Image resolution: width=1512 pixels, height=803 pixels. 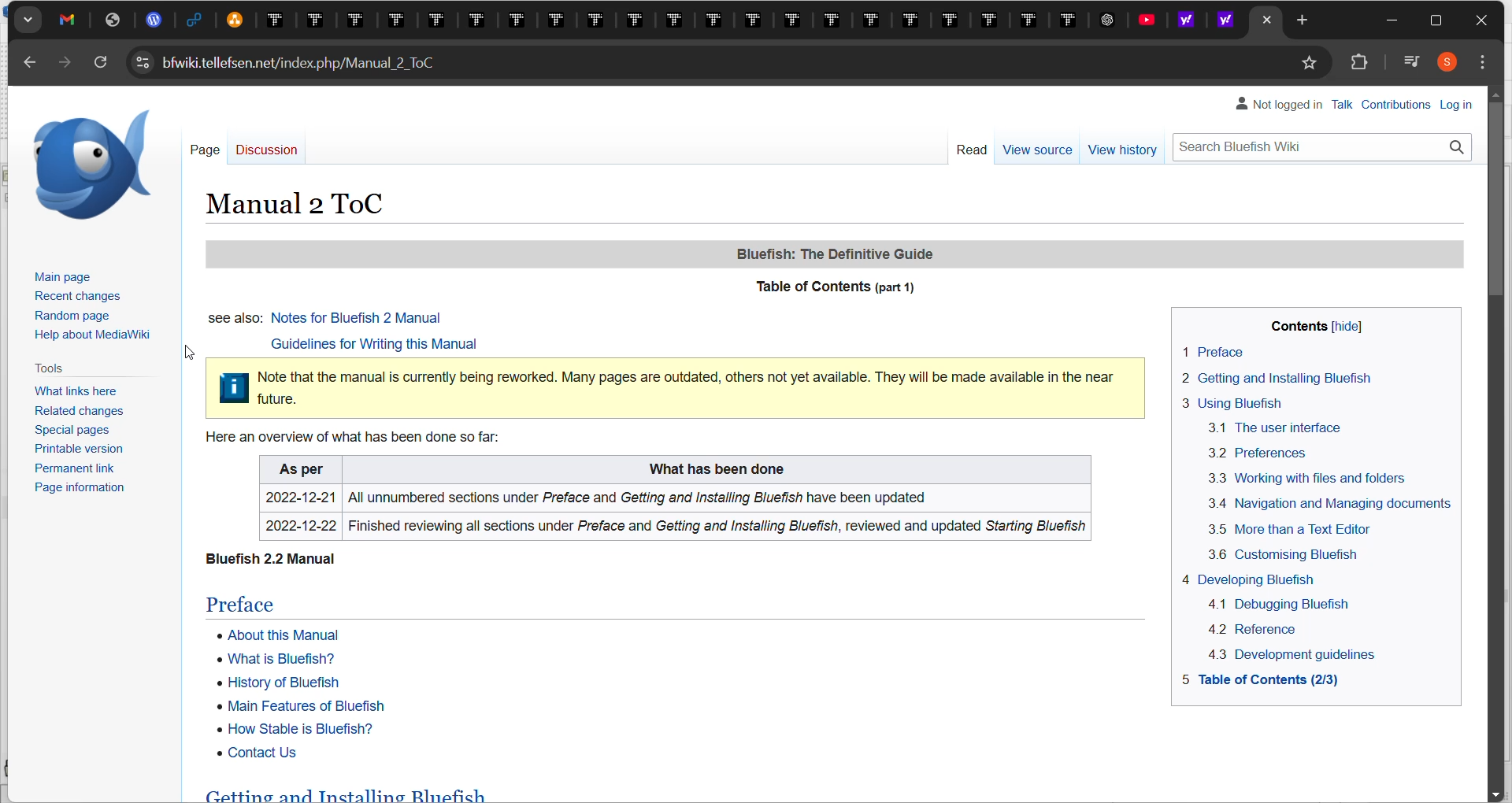 What do you see at coordinates (1322, 144) in the screenshot?
I see `search ` at bounding box center [1322, 144].